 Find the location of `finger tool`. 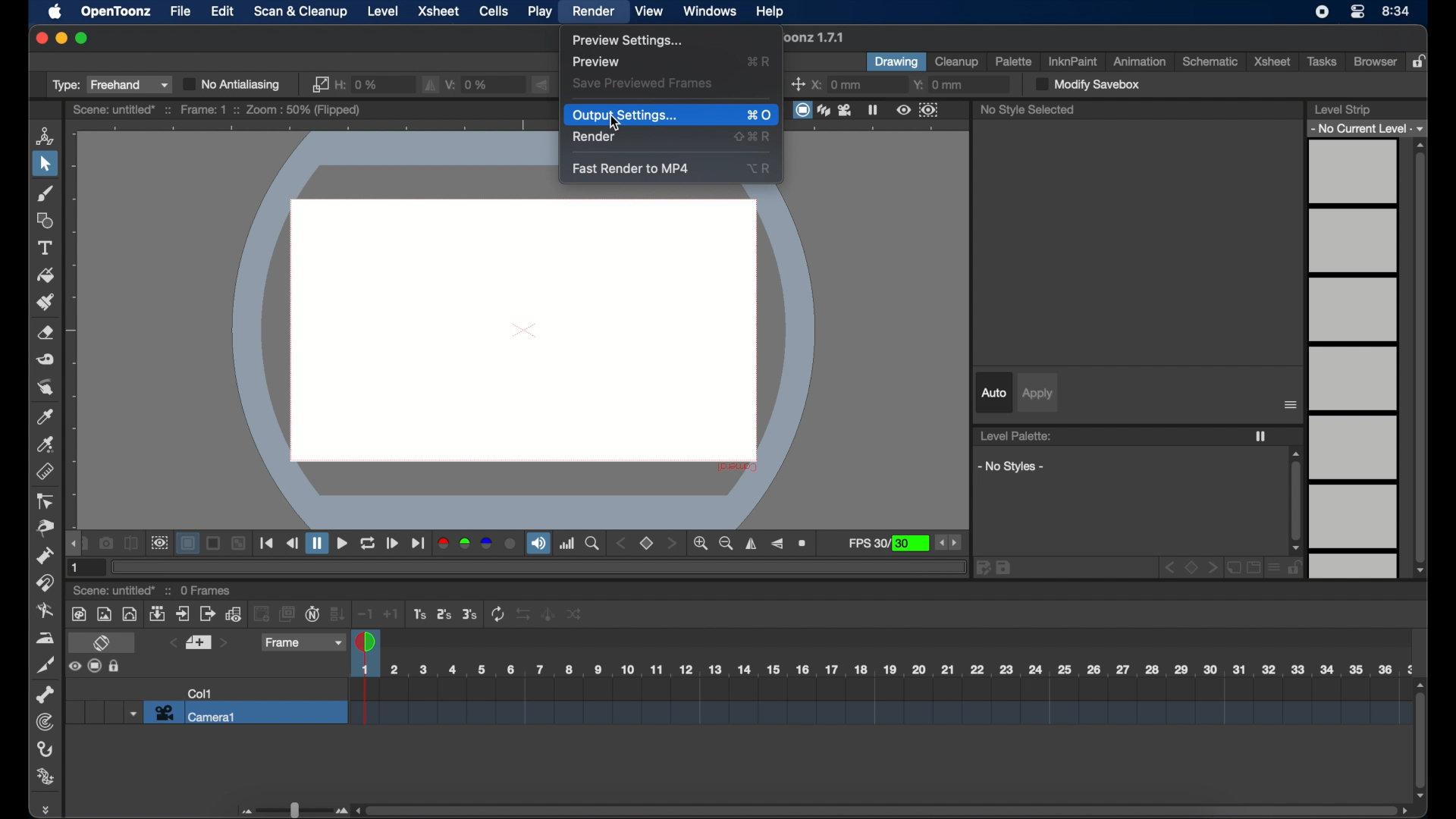

finger tool is located at coordinates (45, 388).